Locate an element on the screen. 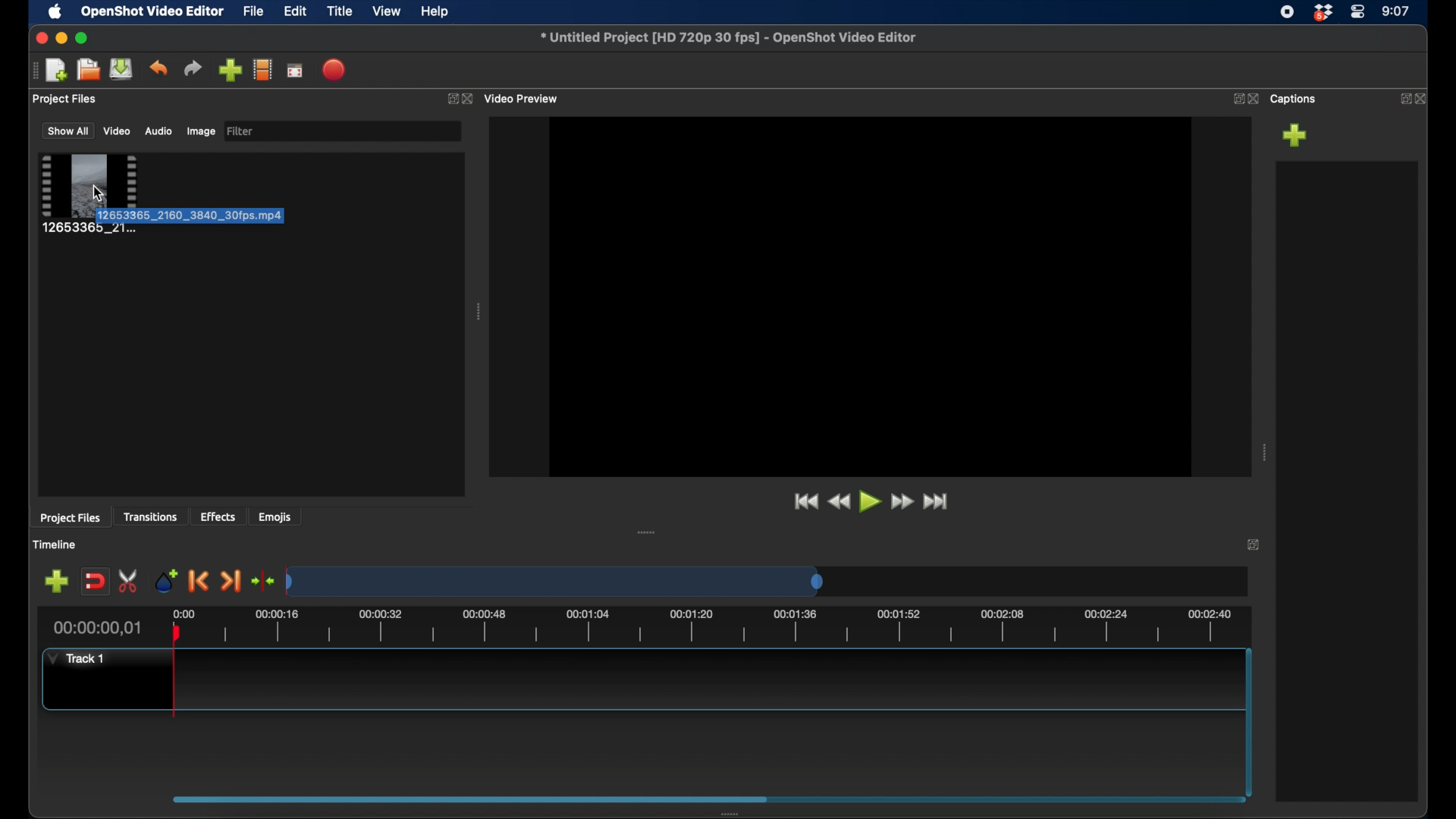 The width and height of the screenshot is (1456, 819). center playhead on the timeline is located at coordinates (262, 581).